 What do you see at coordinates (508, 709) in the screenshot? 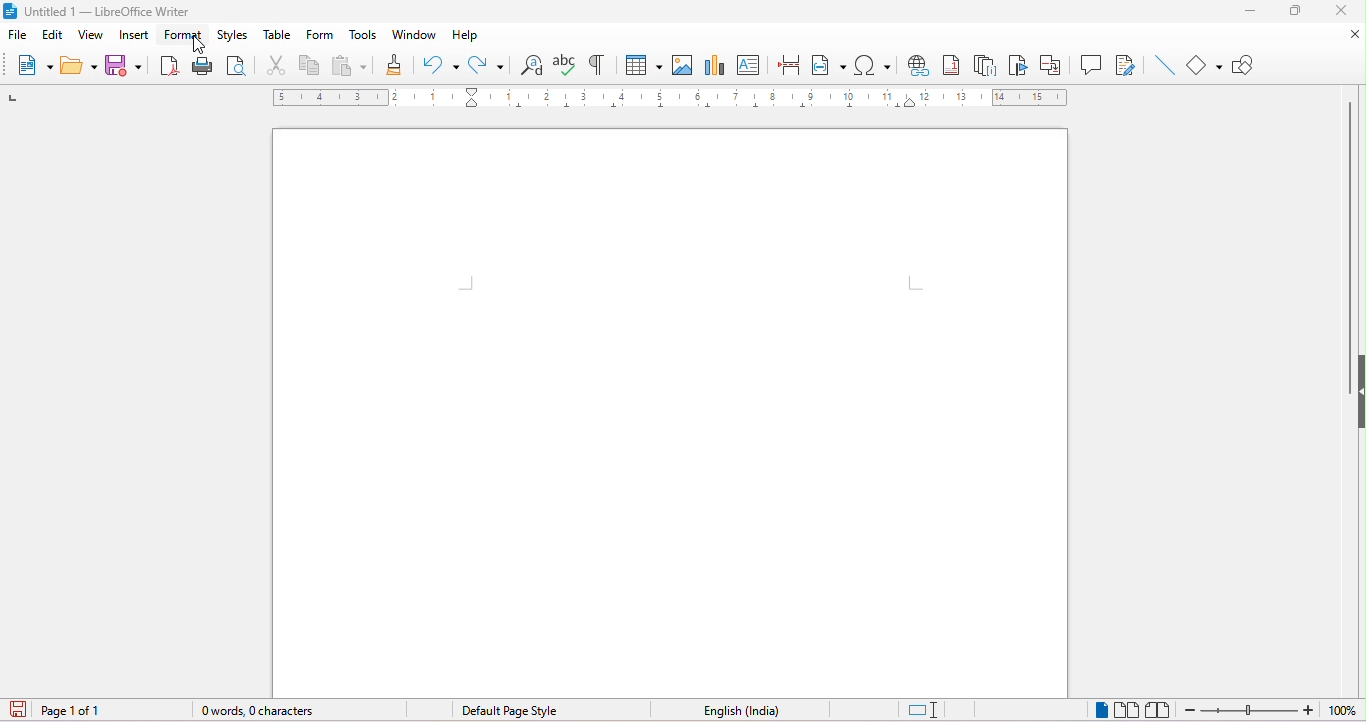
I see `page style ` at bounding box center [508, 709].